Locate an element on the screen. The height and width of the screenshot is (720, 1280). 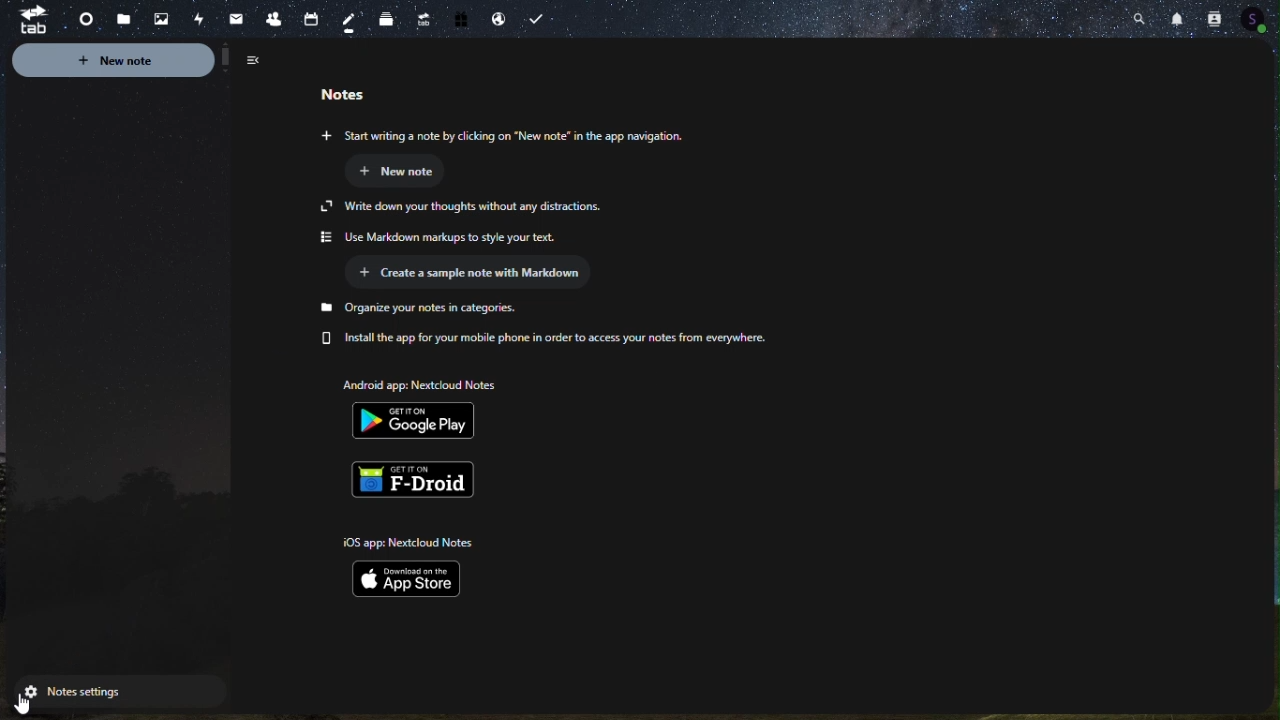
tab is located at coordinates (25, 21).